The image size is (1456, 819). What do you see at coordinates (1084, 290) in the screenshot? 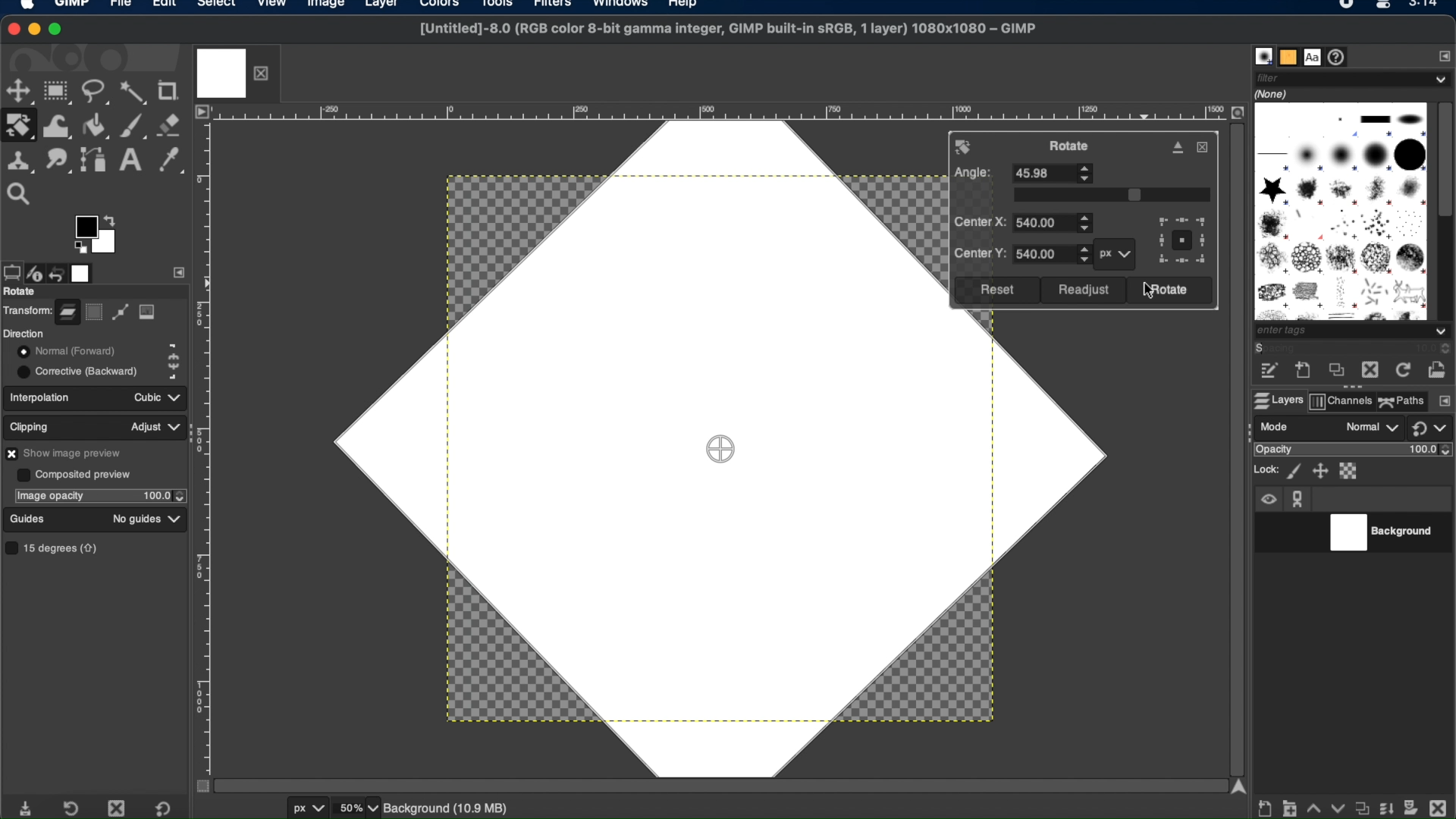
I see `readjust` at bounding box center [1084, 290].